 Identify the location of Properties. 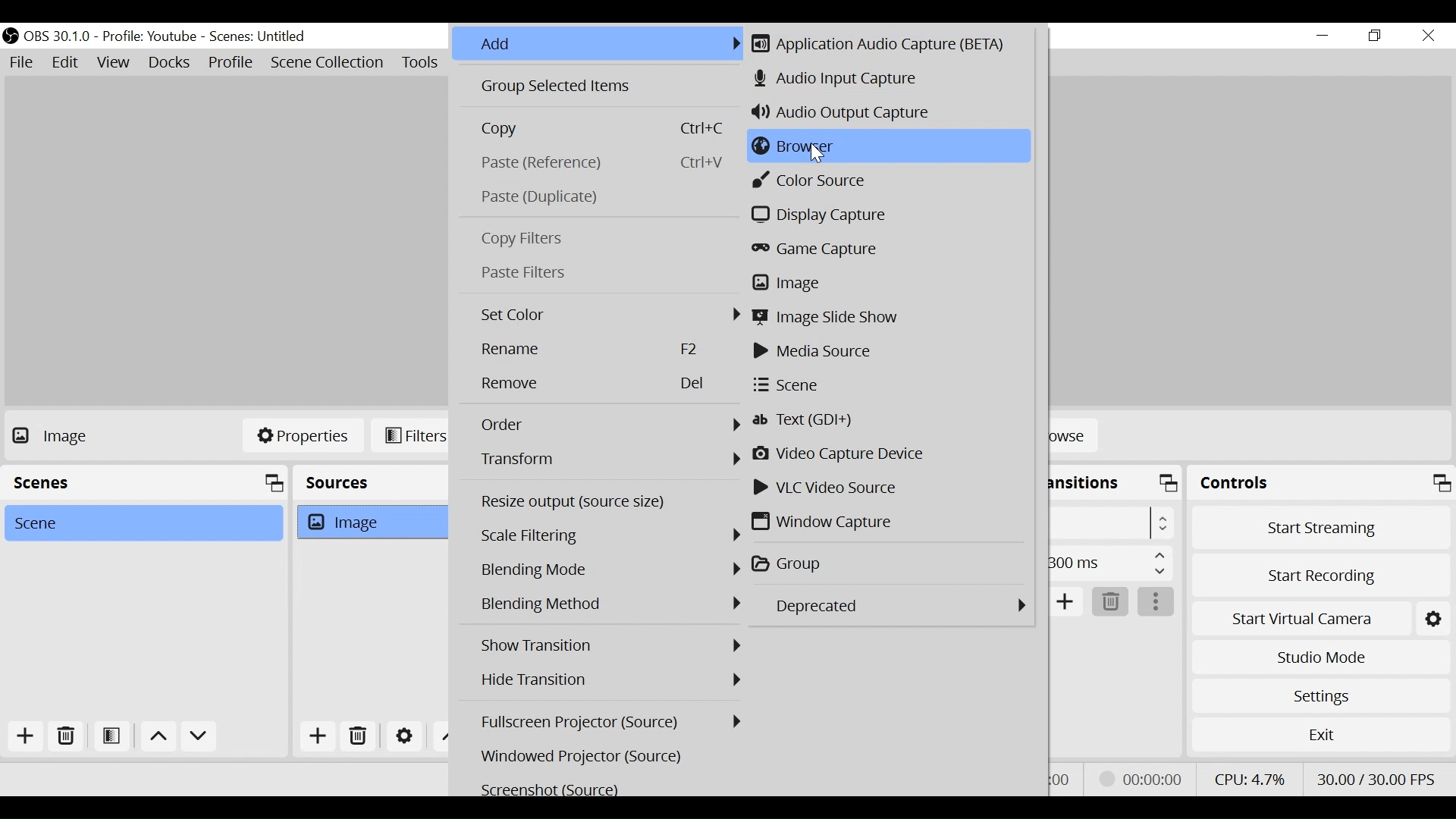
(303, 436).